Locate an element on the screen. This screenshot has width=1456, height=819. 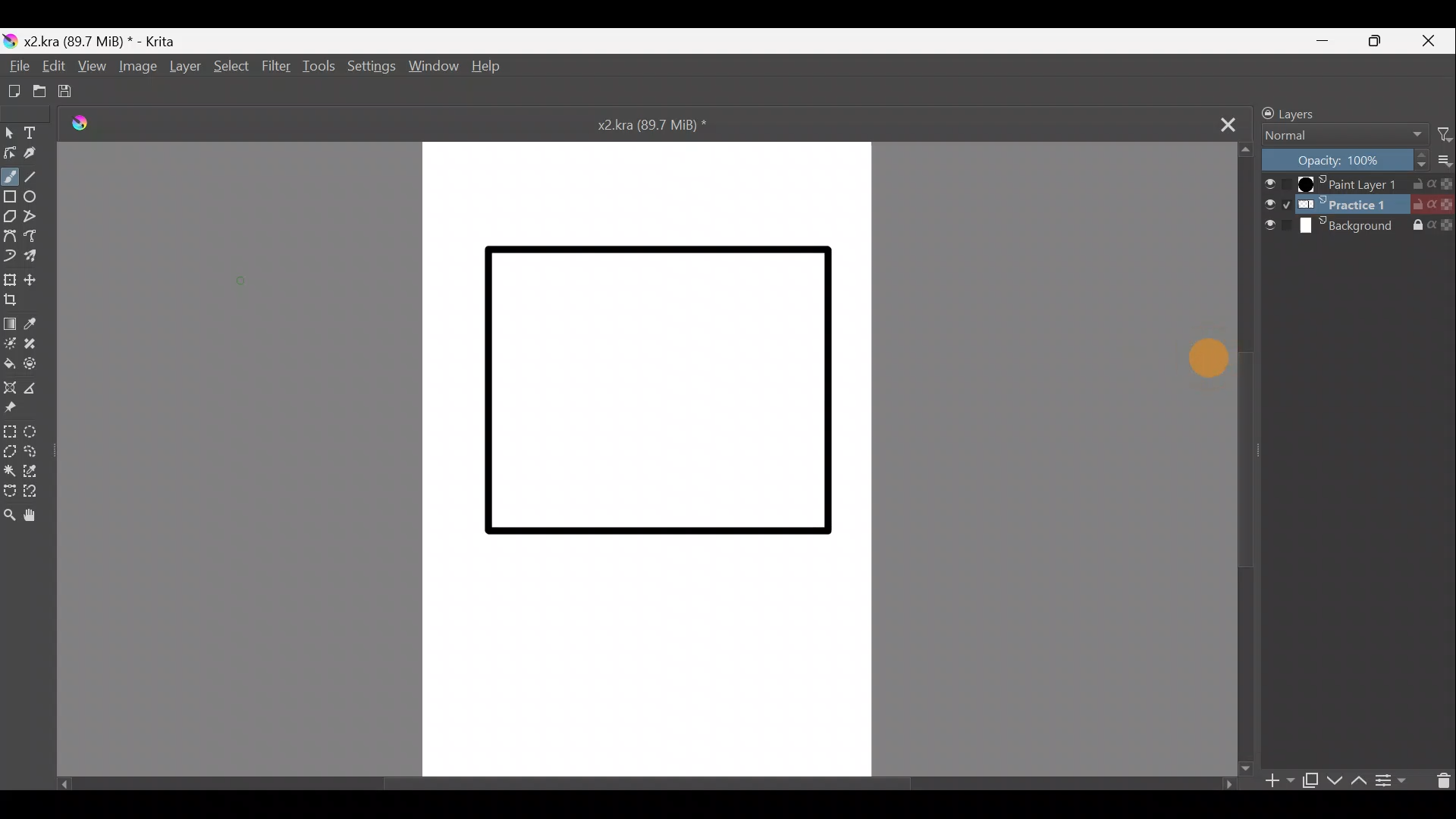
Polygonal selection tool is located at coordinates (10, 450).